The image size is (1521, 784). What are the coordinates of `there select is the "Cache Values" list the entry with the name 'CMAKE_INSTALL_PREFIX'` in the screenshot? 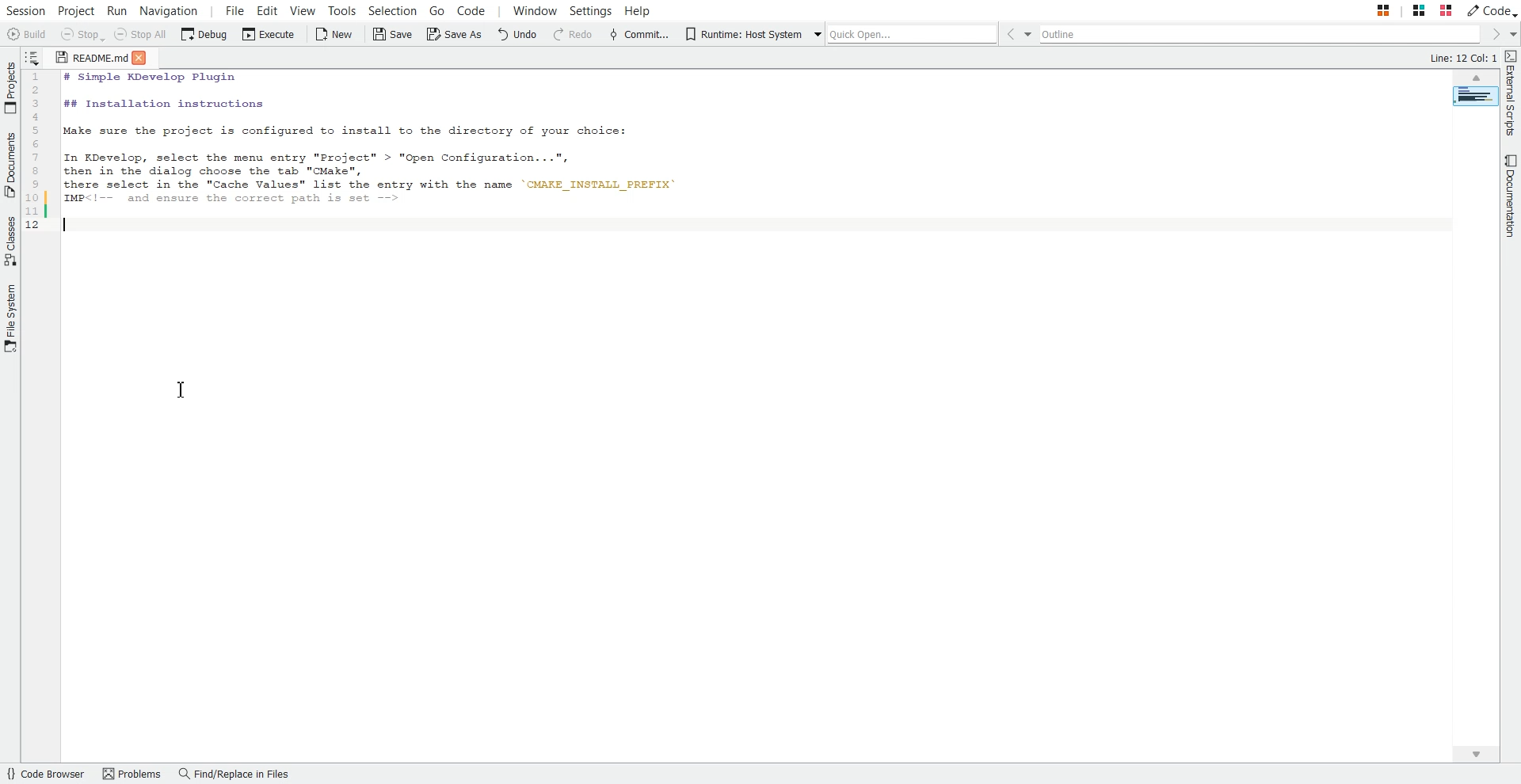 It's located at (383, 186).